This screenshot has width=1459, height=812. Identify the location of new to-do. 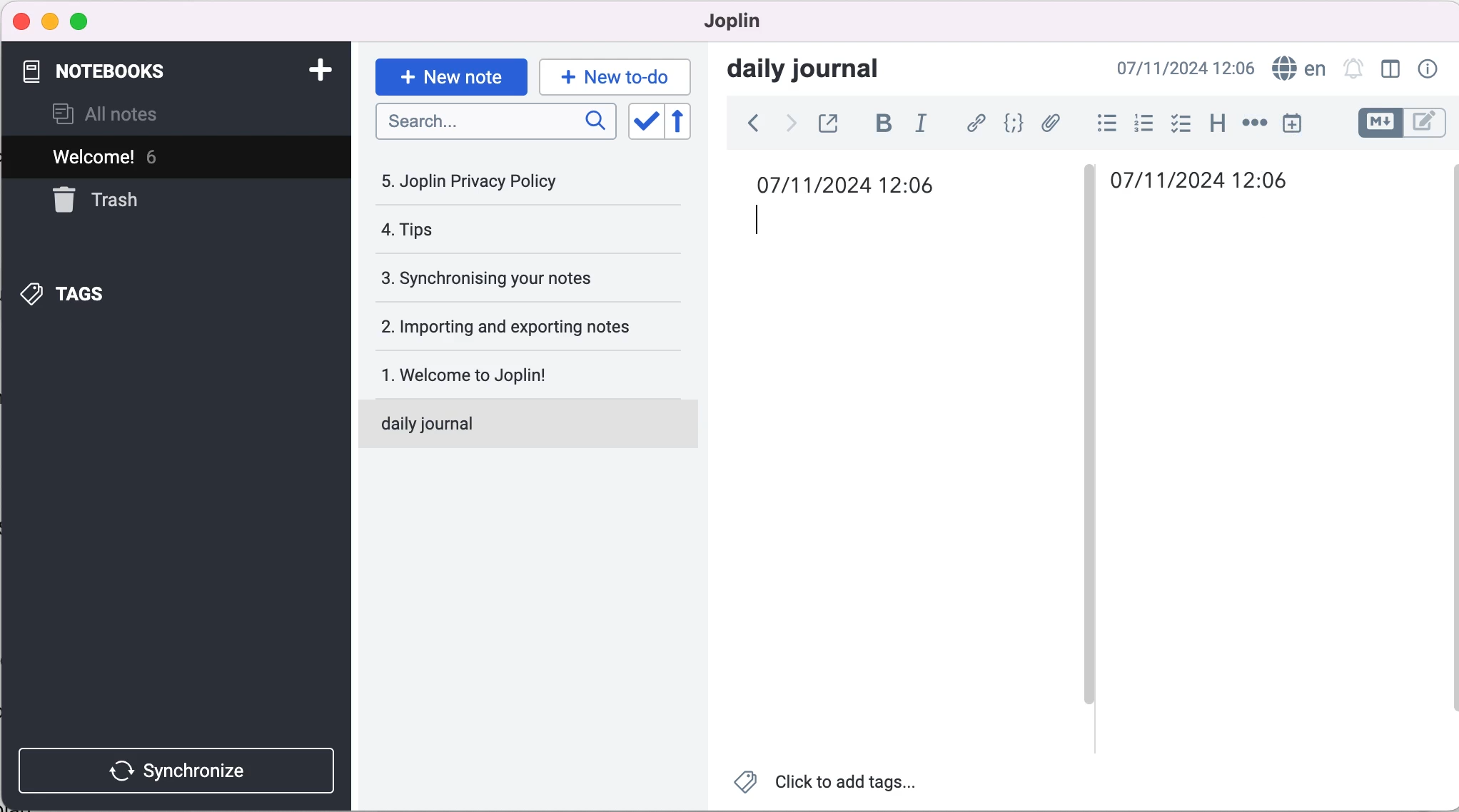
(612, 76).